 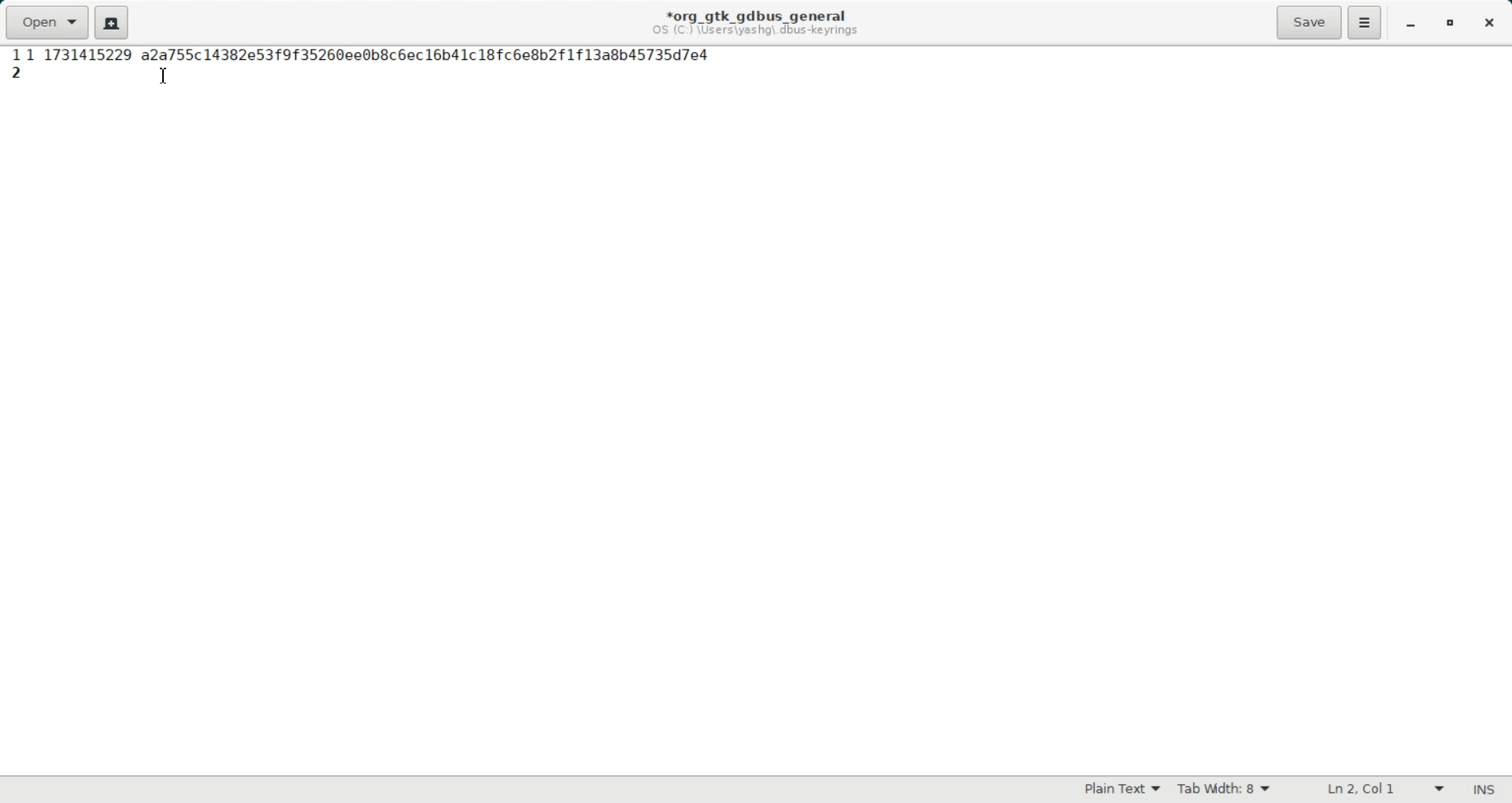 What do you see at coordinates (1122, 790) in the screenshot?
I see `Plain Text` at bounding box center [1122, 790].